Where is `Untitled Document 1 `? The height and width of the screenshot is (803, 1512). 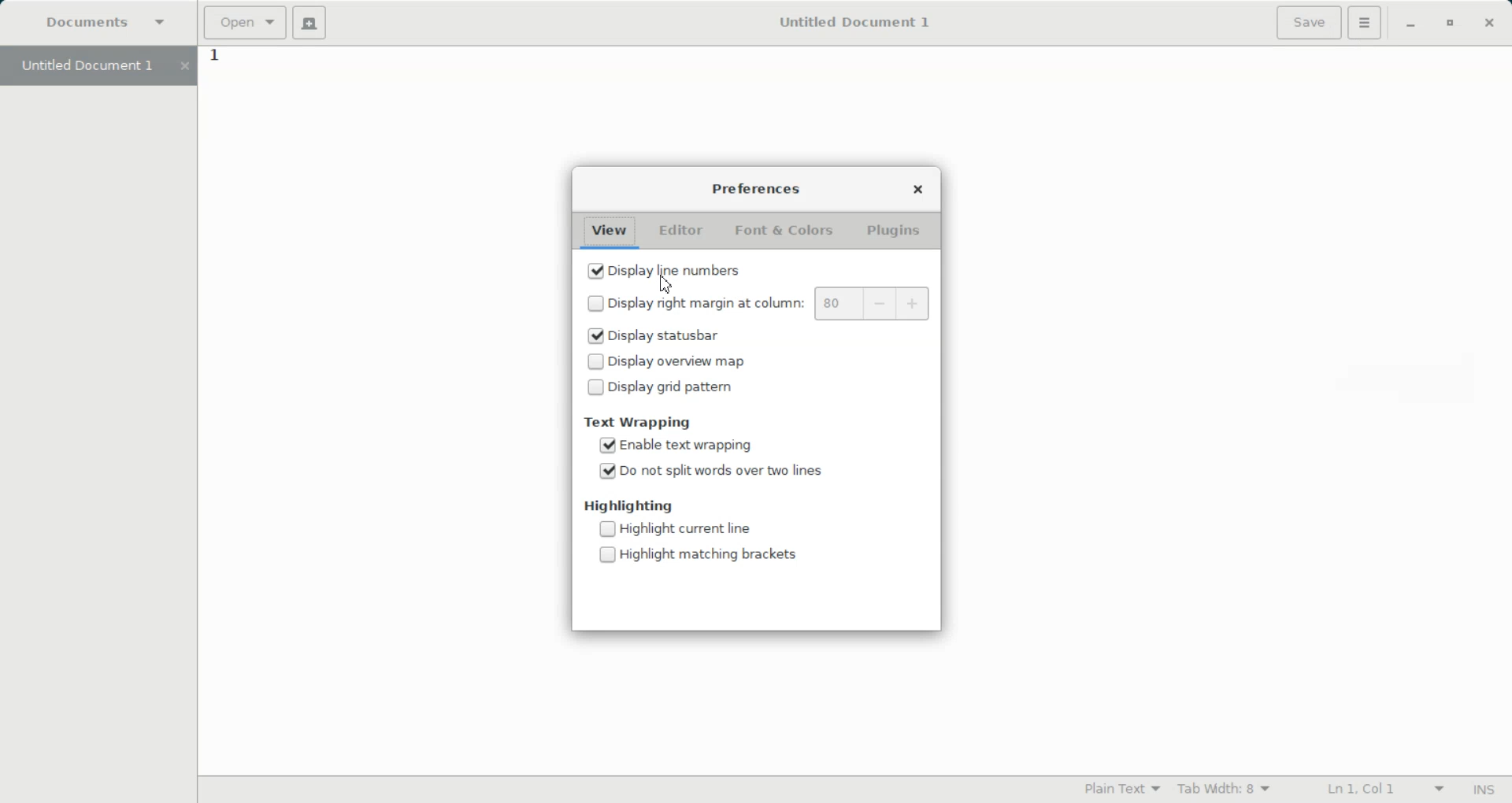
Untitled Document 1  is located at coordinates (96, 66).